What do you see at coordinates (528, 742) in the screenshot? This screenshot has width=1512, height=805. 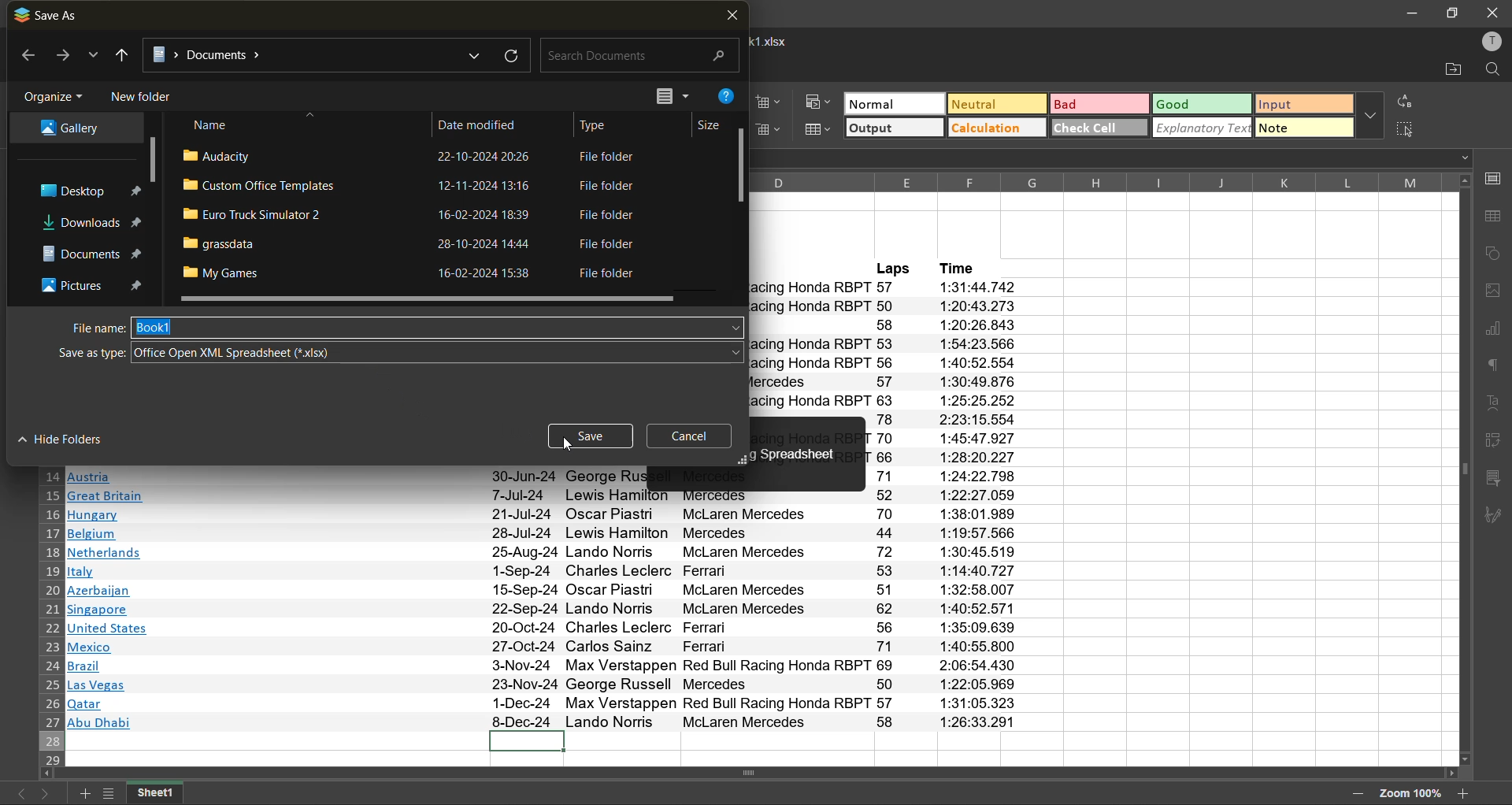 I see `current cell` at bounding box center [528, 742].